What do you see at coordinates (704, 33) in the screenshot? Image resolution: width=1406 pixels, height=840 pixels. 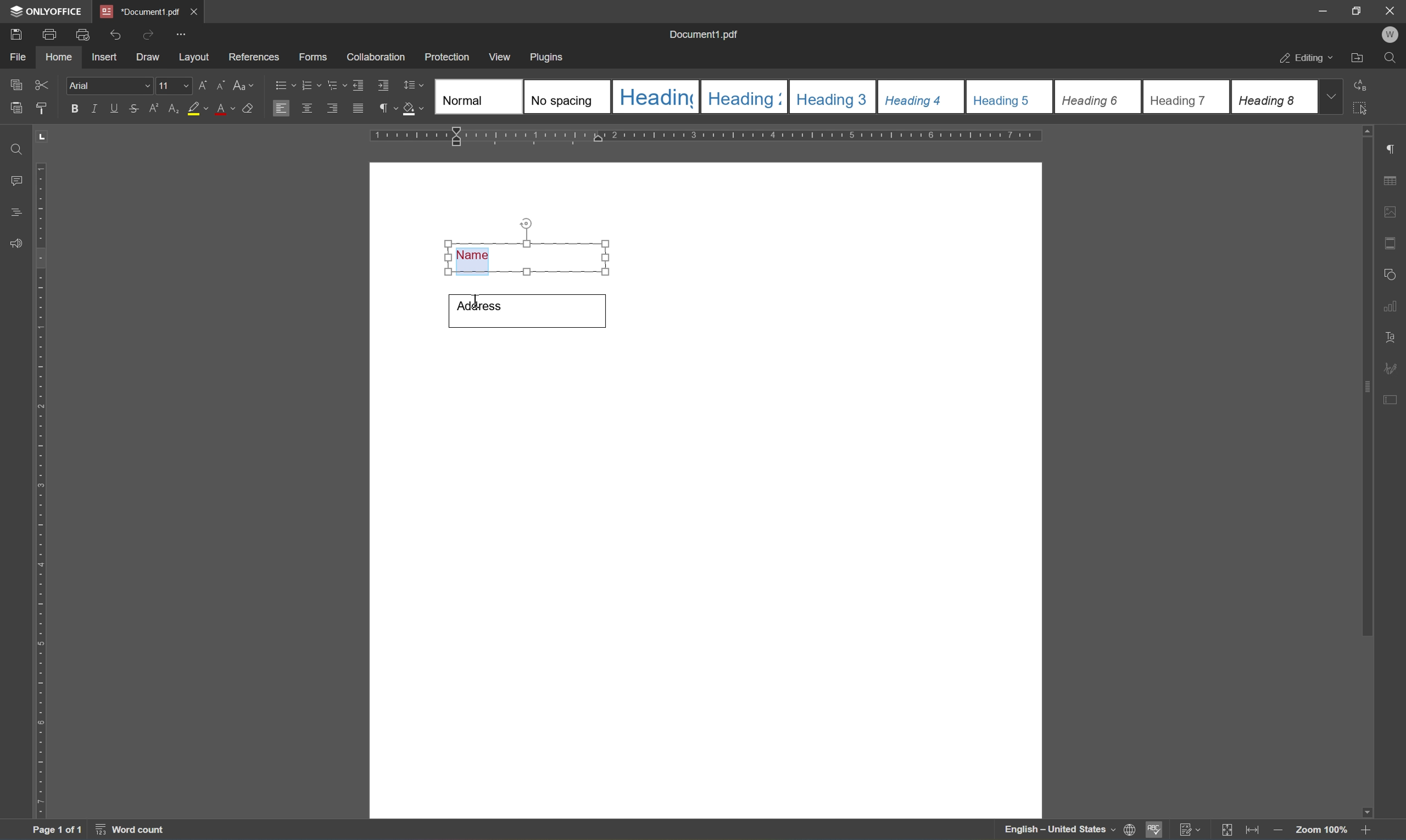 I see `document1.pdf` at bounding box center [704, 33].